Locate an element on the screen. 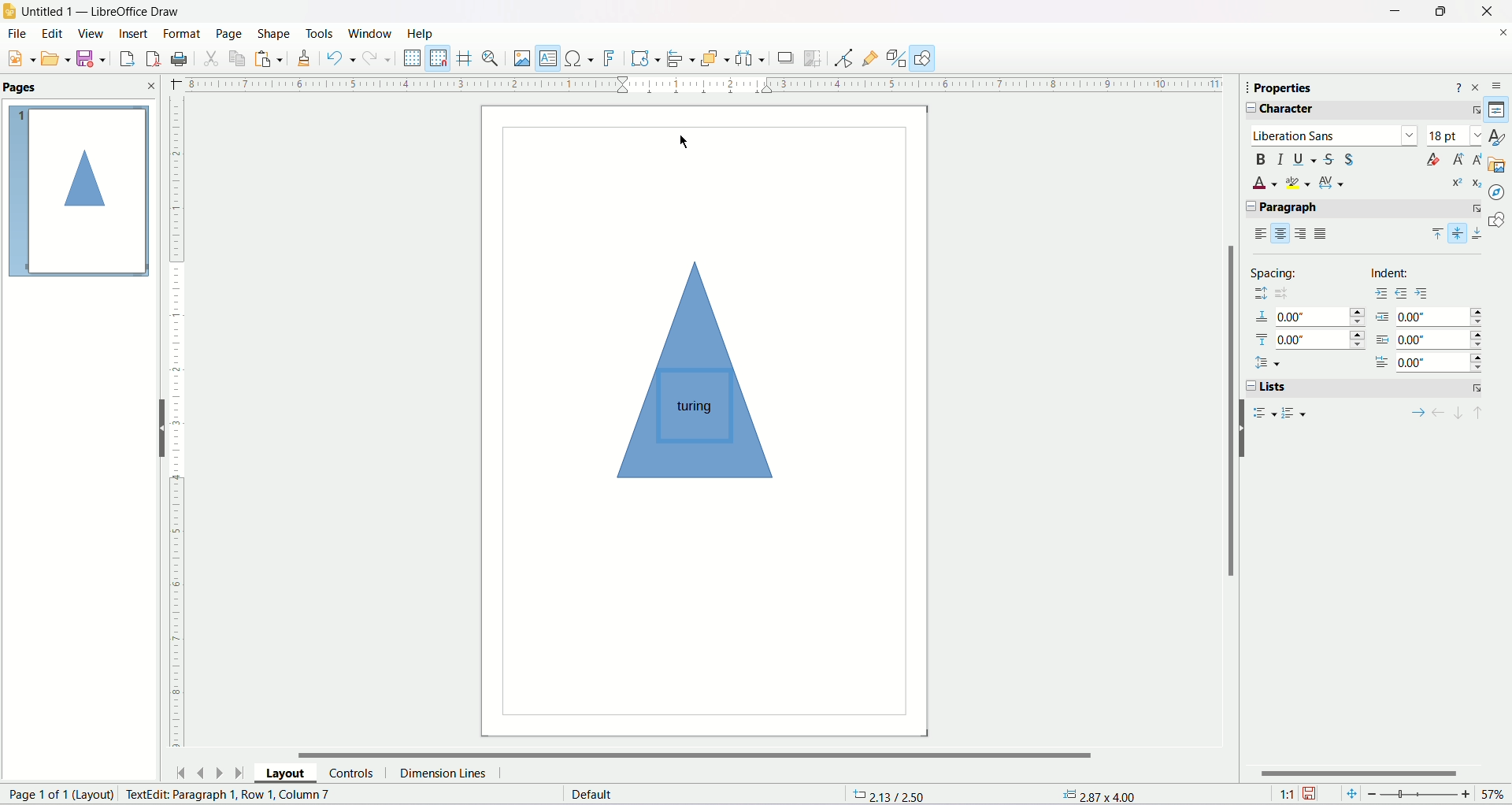 The image size is (1512, 805). Helpines while moving is located at coordinates (465, 59).